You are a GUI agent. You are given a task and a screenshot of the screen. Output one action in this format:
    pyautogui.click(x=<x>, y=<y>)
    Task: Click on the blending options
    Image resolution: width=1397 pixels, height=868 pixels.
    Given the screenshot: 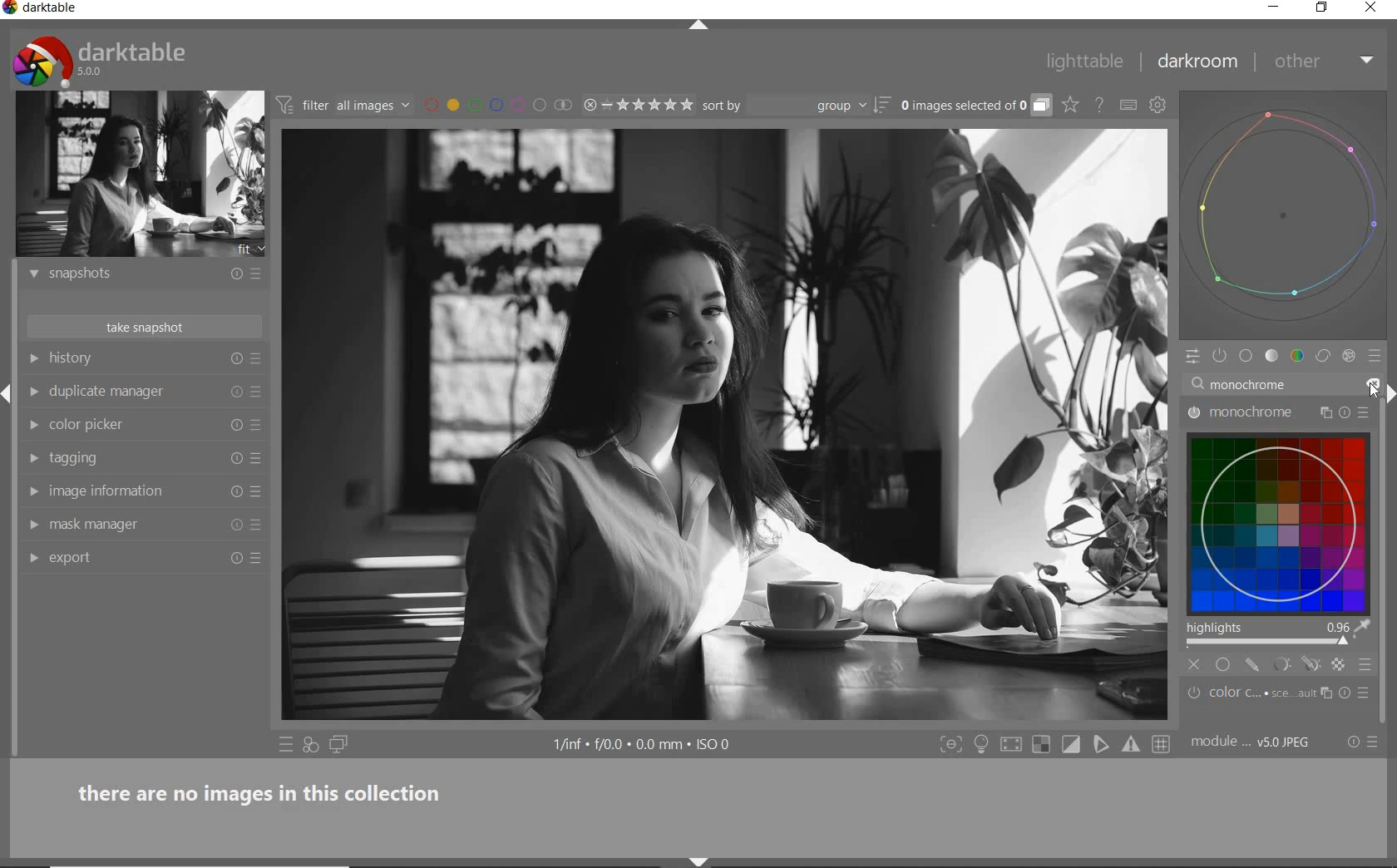 What is the action you would take?
    pyautogui.click(x=1366, y=665)
    